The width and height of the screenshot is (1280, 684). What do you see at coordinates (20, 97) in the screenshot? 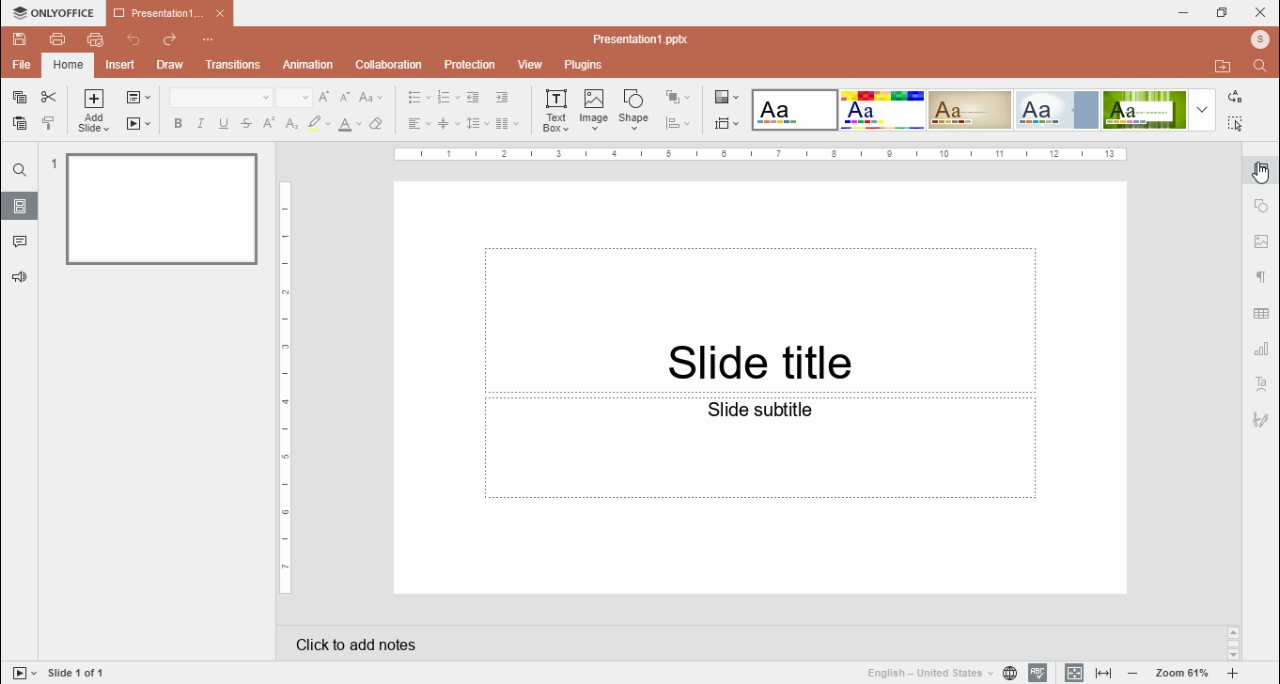
I see `copy` at bounding box center [20, 97].